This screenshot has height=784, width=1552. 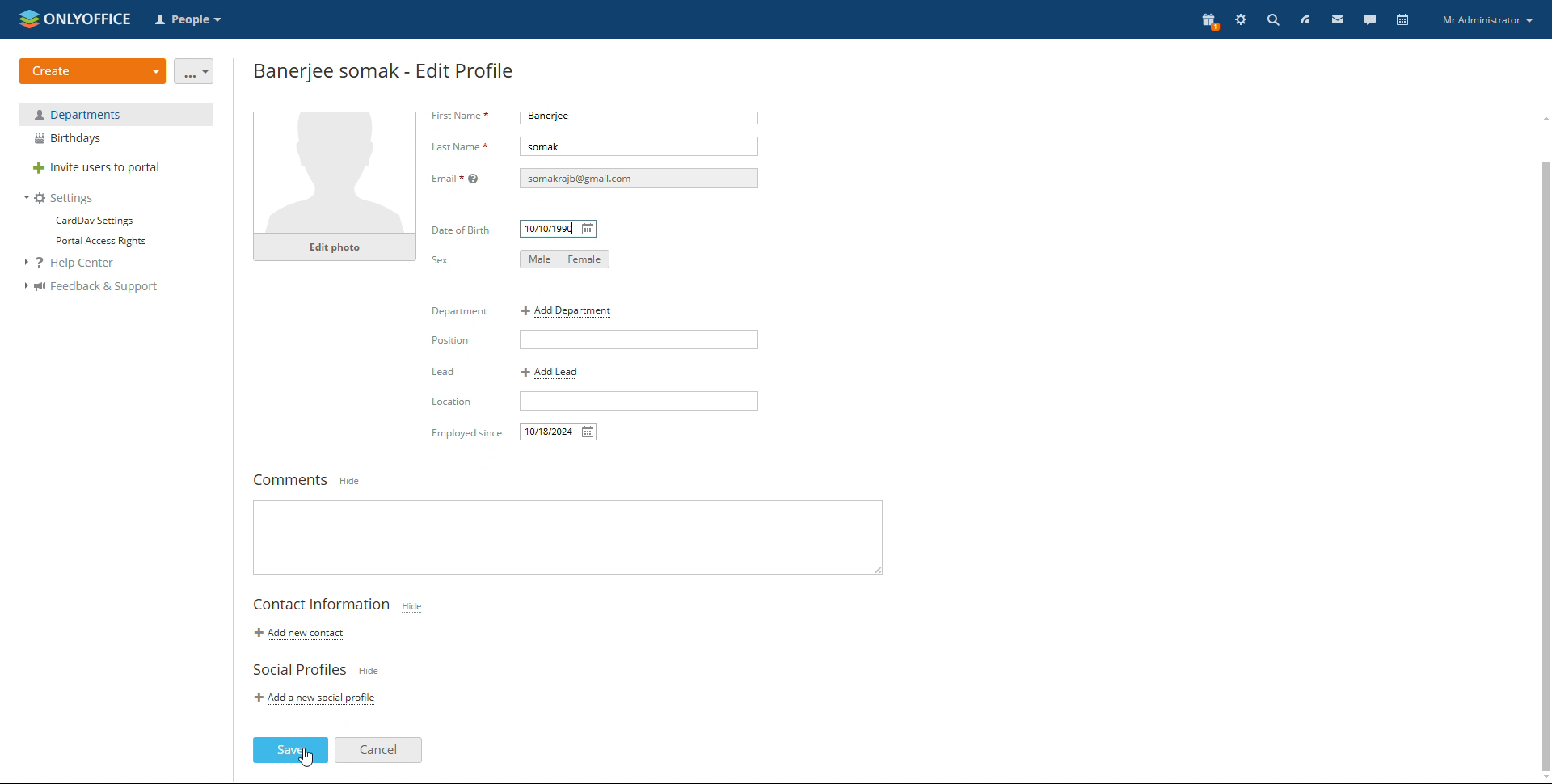 I want to click on select application, so click(x=191, y=20).